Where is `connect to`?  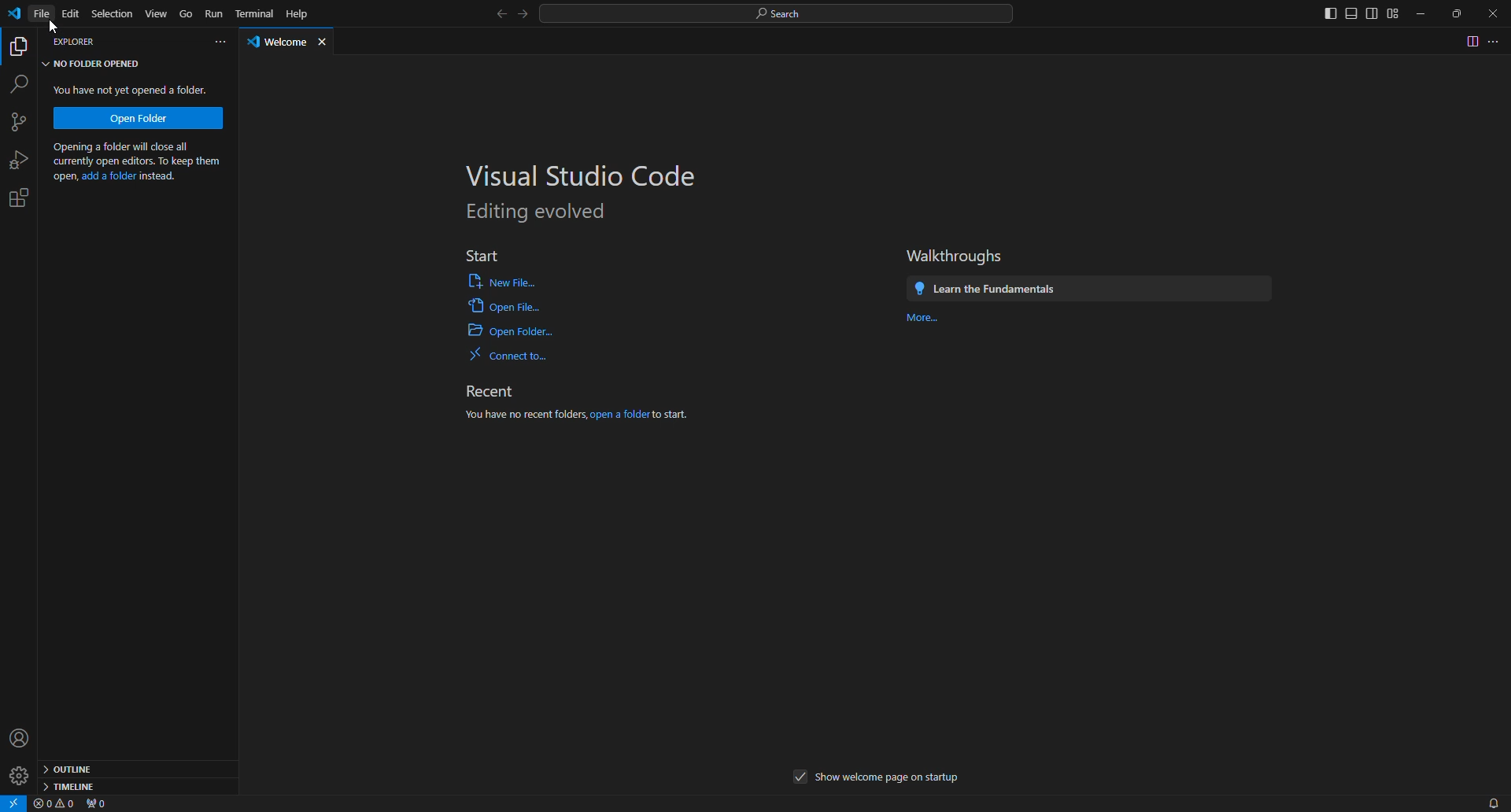 connect to is located at coordinates (512, 356).